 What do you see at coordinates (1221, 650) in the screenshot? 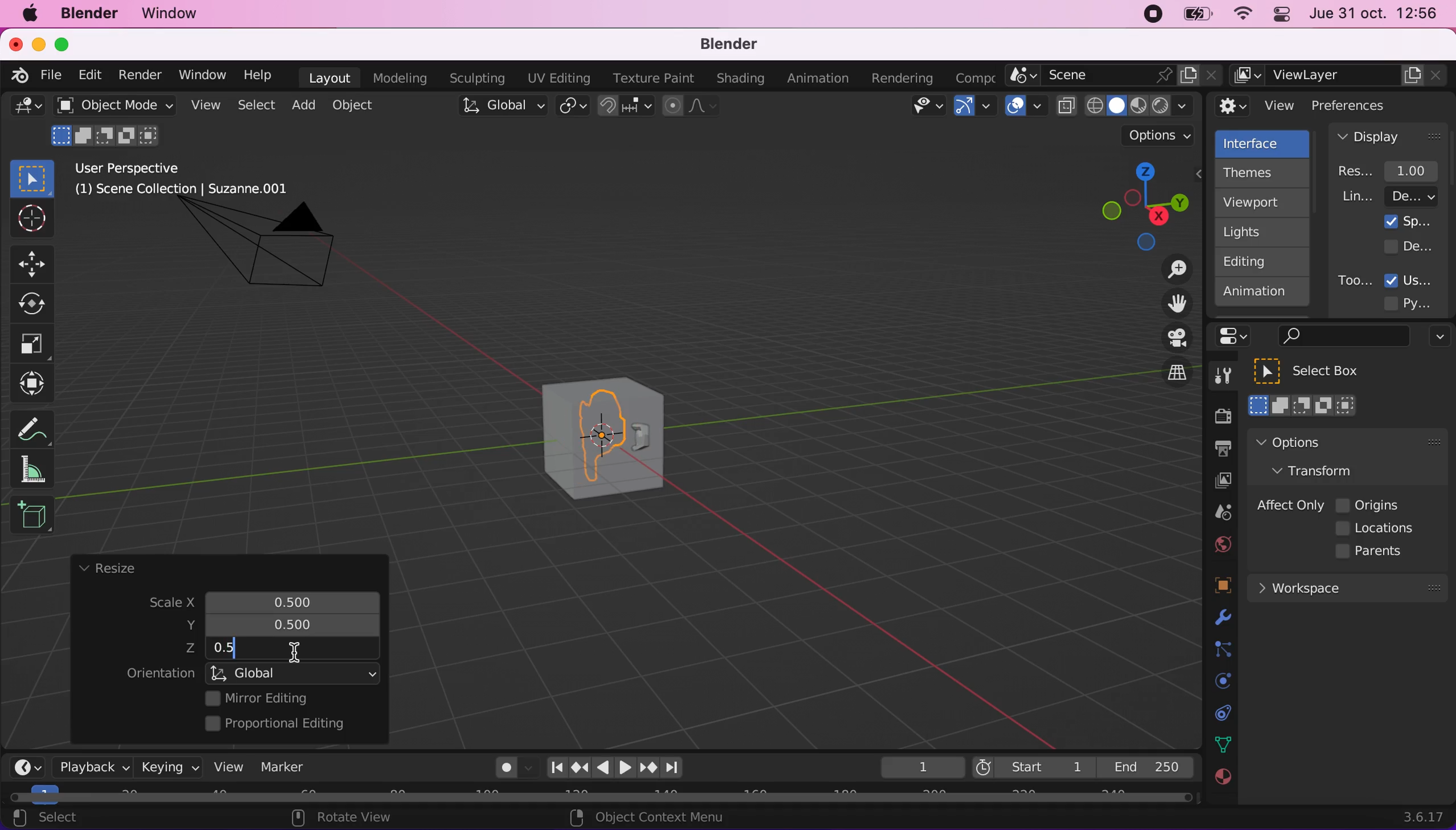
I see `constraints` at bounding box center [1221, 650].